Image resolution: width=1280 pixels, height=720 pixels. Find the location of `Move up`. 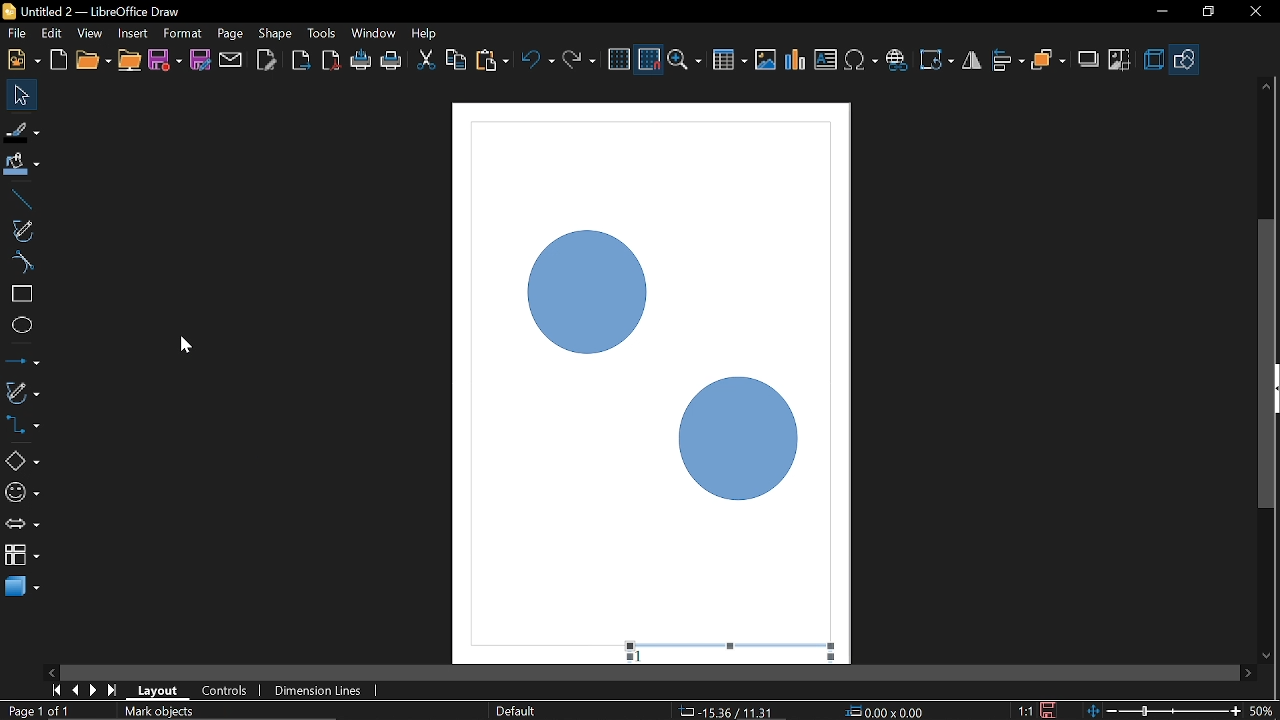

Move up is located at coordinates (1266, 86).